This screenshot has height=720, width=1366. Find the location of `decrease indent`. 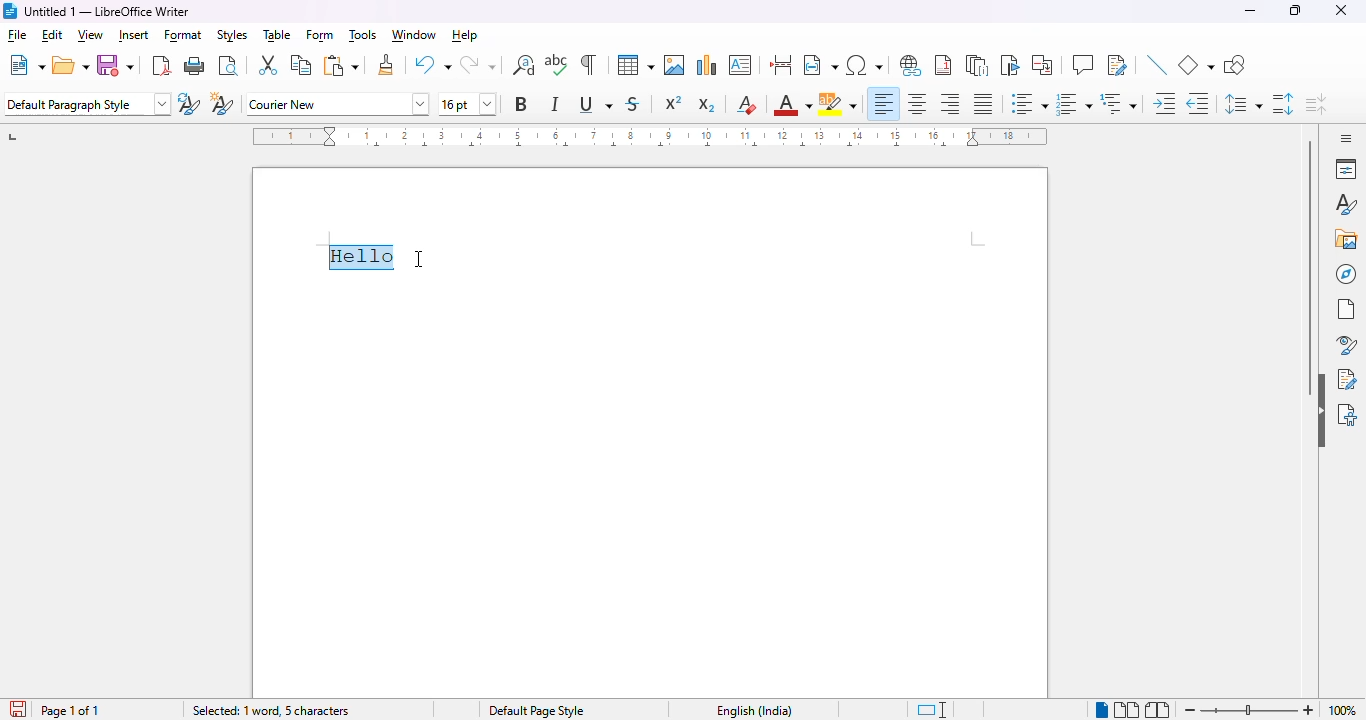

decrease indent is located at coordinates (1198, 103).